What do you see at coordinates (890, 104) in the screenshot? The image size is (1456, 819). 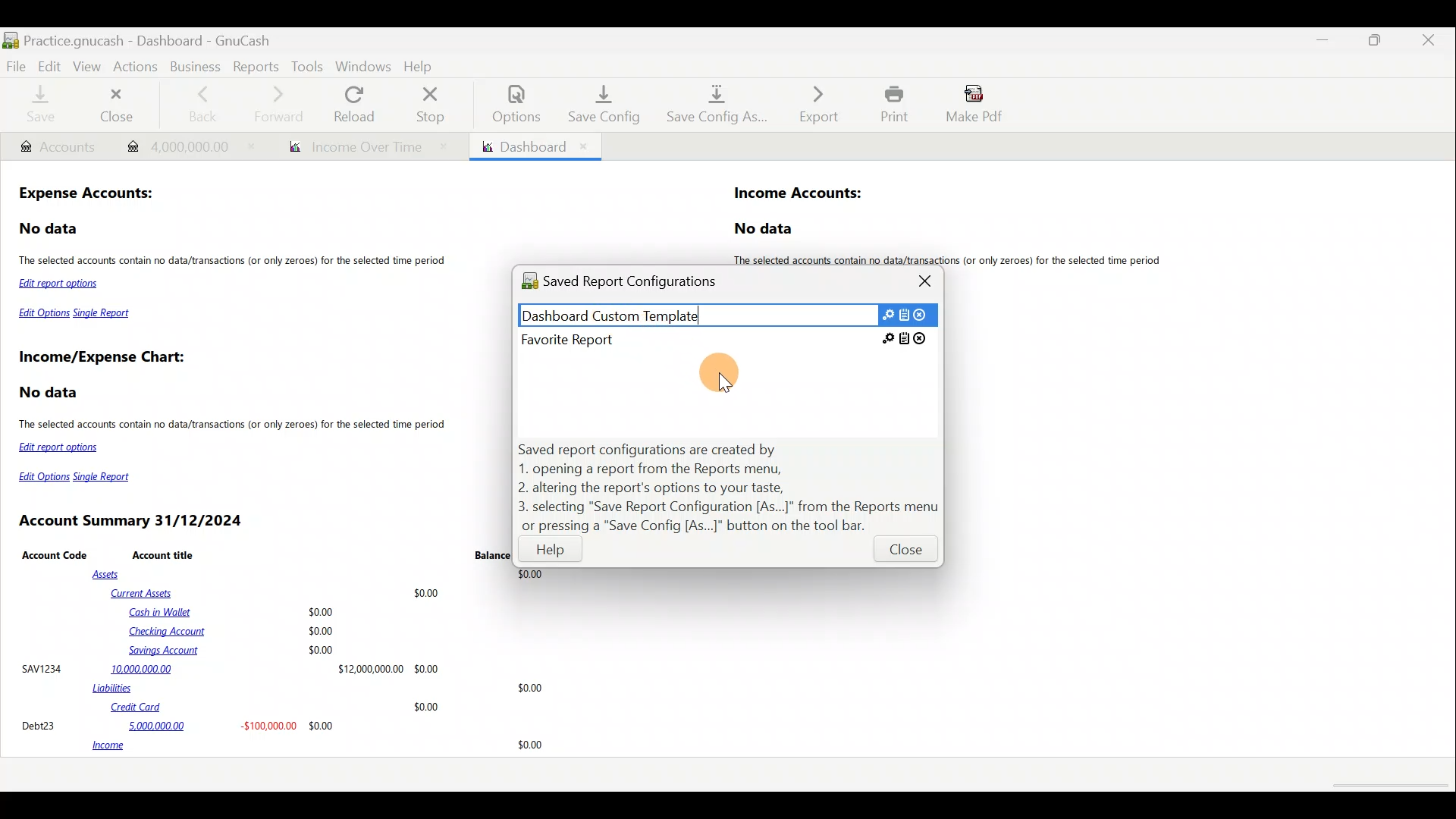 I see `Print` at bounding box center [890, 104].